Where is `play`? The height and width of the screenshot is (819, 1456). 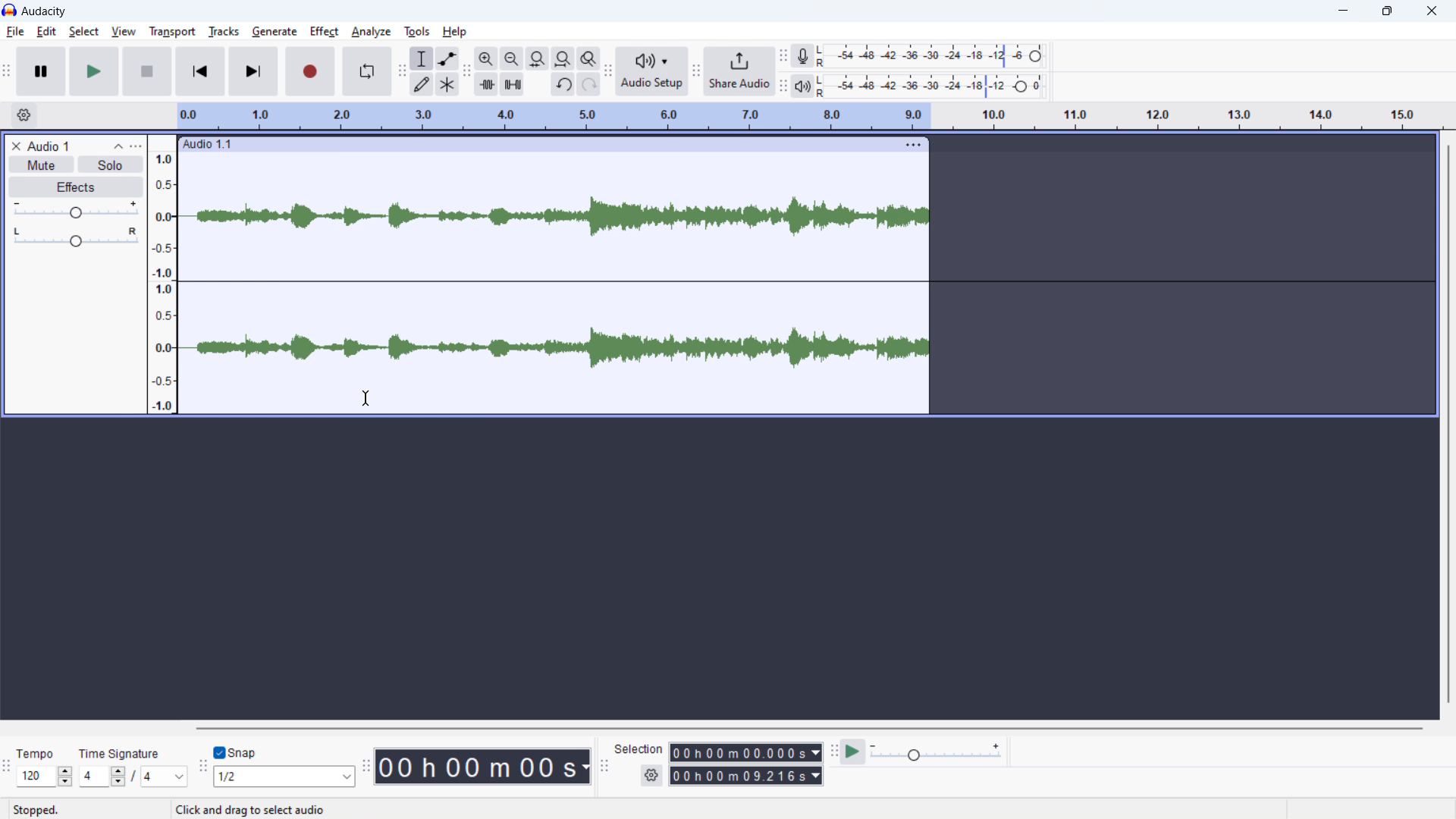
play is located at coordinates (94, 72).